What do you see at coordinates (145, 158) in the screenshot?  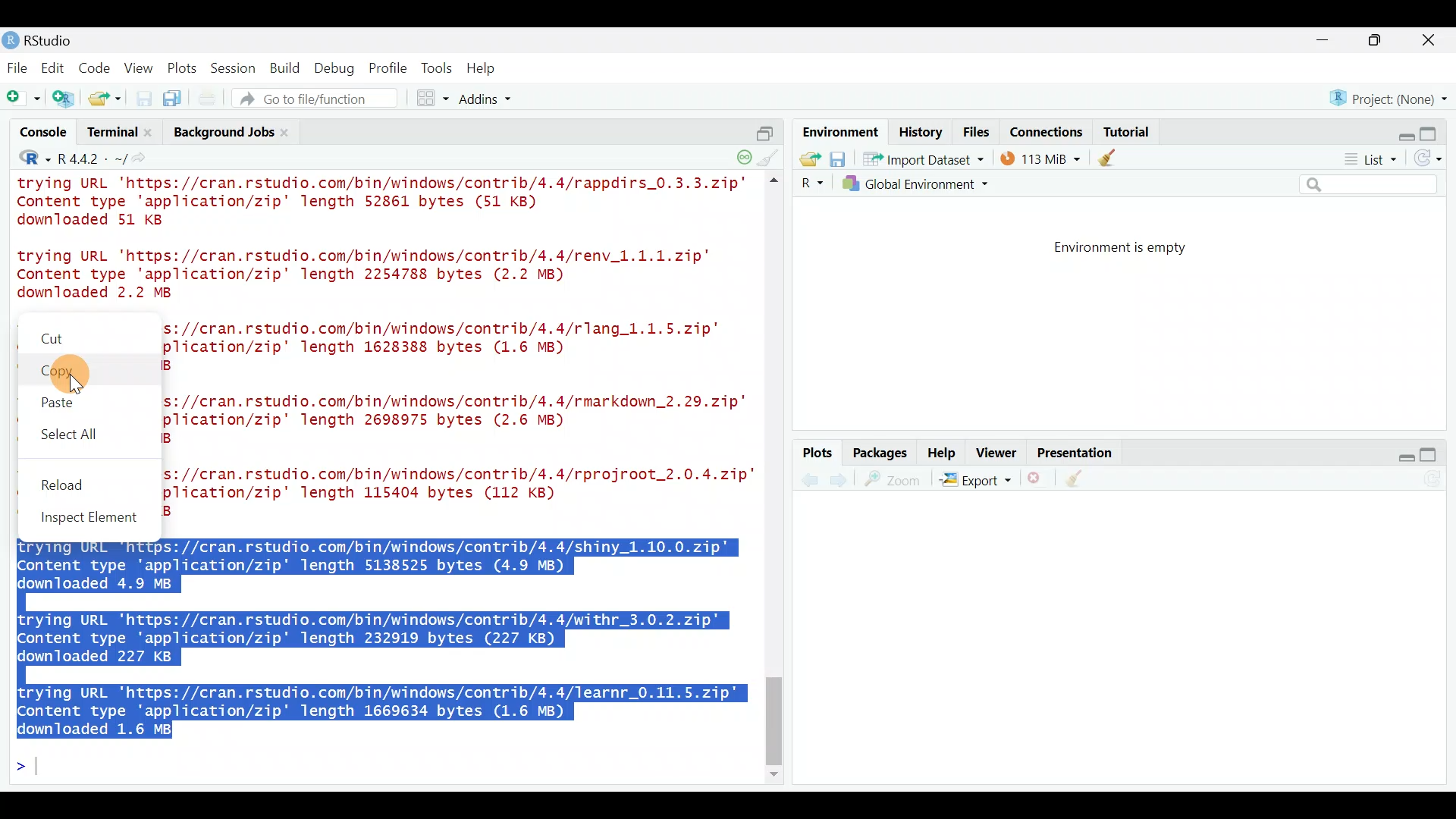 I see `view the current working directory` at bounding box center [145, 158].